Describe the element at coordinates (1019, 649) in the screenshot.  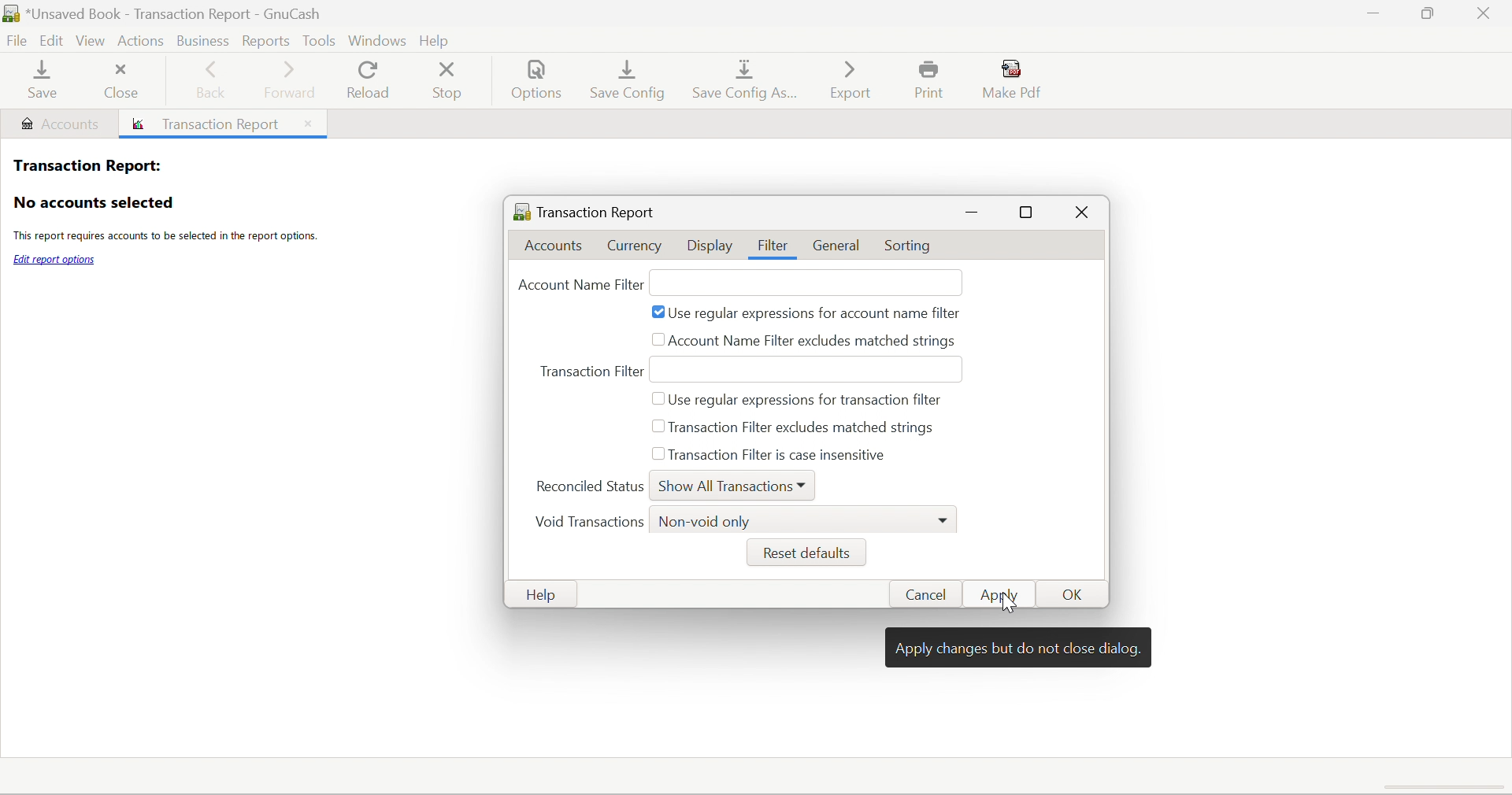
I see `Apply changes but do not close dialog` at that location.